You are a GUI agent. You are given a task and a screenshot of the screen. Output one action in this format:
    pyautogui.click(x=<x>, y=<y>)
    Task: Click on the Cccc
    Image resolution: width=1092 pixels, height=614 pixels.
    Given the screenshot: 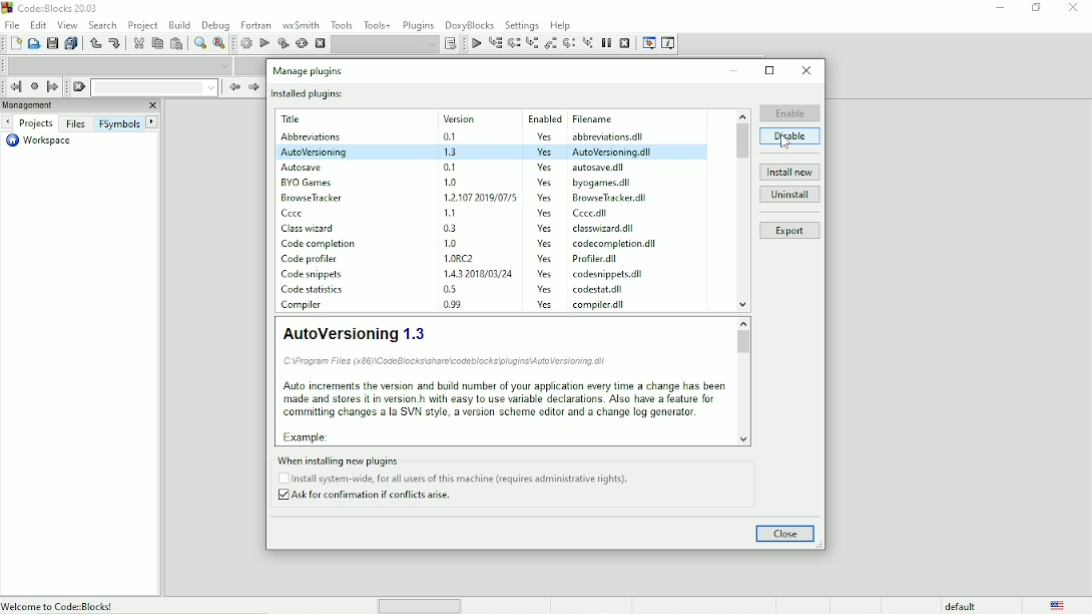 What is the action you would take?
    pyautogui.click(x=296, y=214)
    